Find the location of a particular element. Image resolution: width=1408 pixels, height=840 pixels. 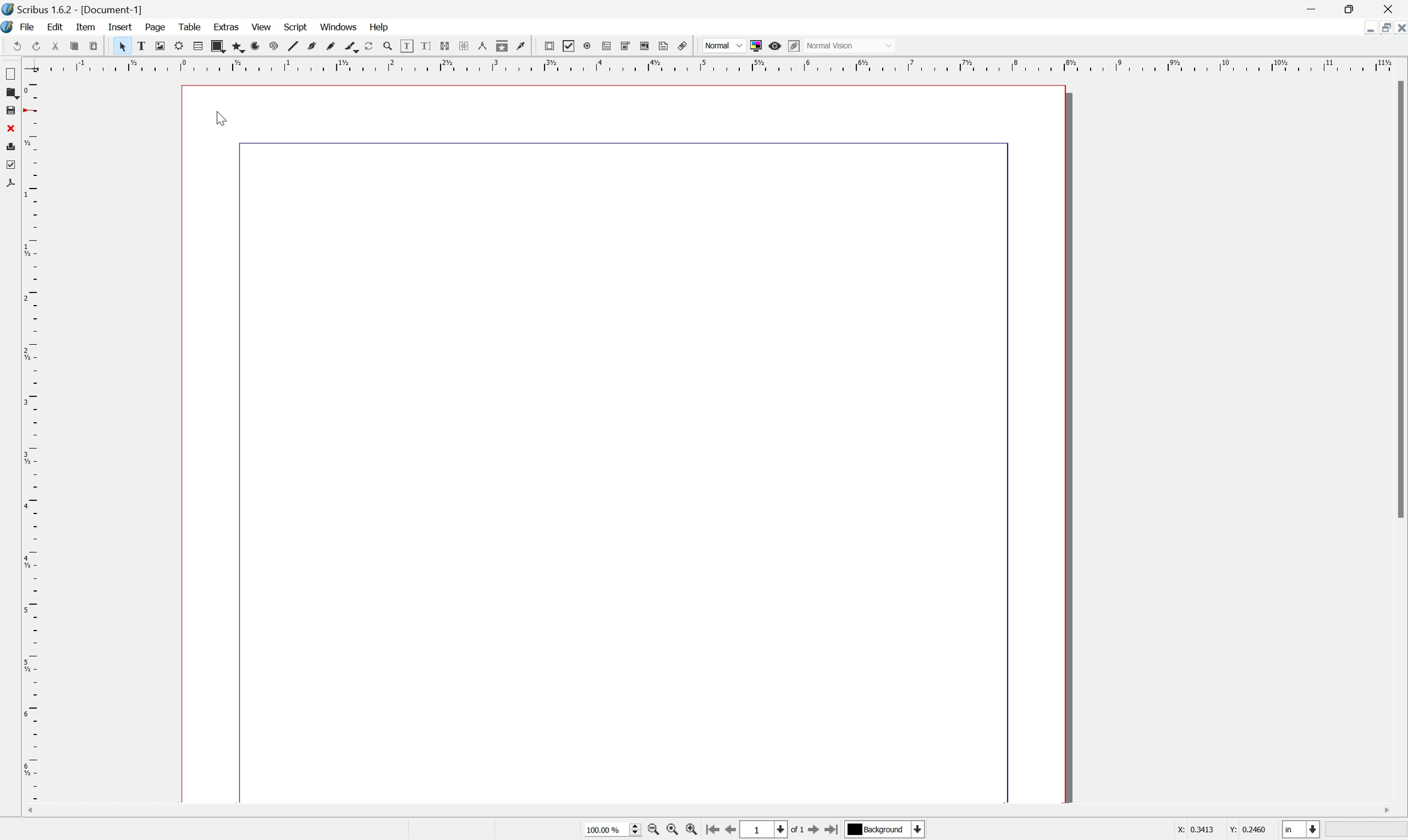

undo is located at coordinates (161, 46).